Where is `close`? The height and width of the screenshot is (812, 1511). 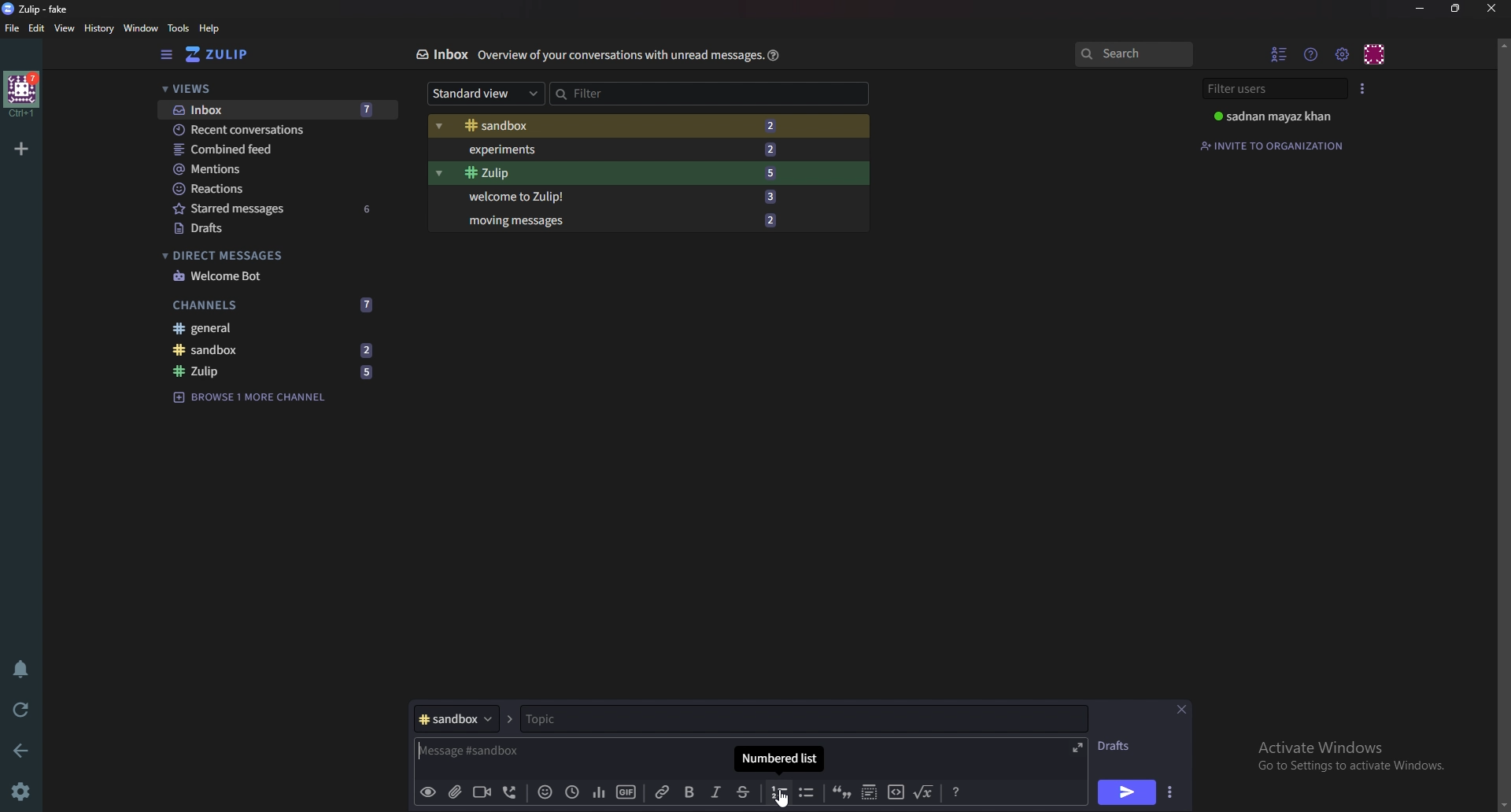 close is located at coordinates (1491, 8).